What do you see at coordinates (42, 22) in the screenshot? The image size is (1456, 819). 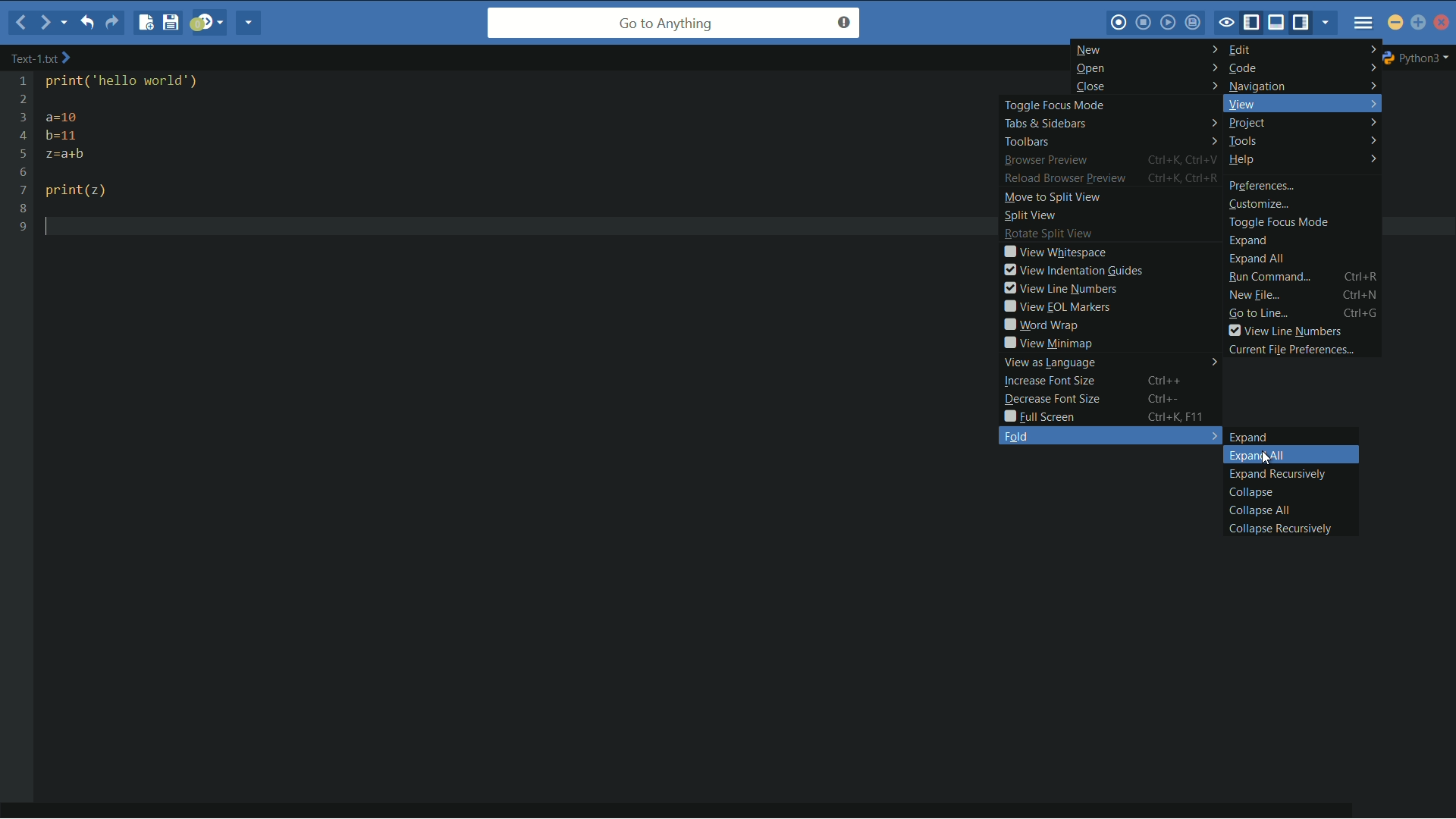 I see `forward` at bounding box center [42, 22].